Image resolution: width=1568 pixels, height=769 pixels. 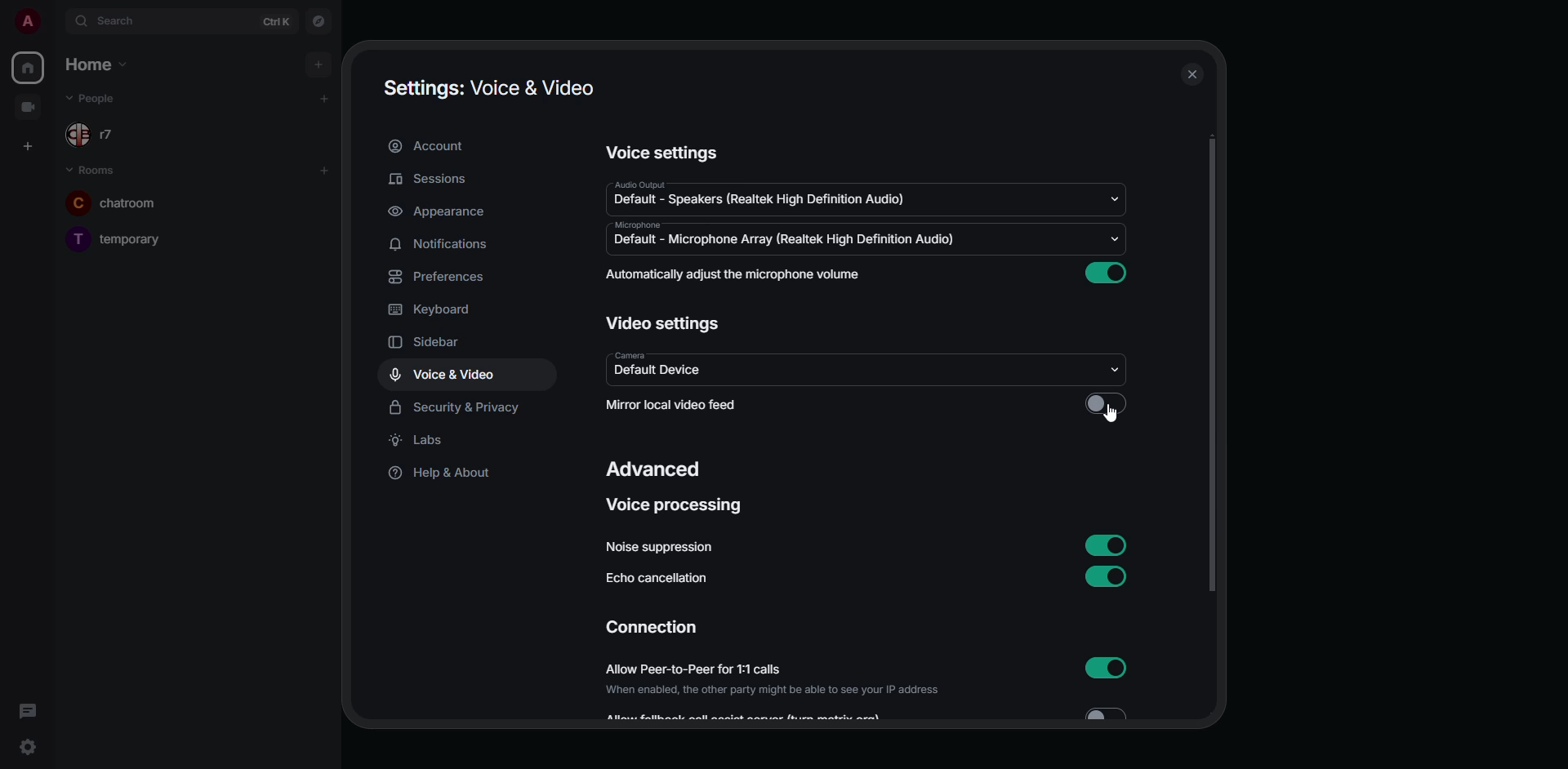 I want to click on settings voice & video, so click(x=492, y=87).